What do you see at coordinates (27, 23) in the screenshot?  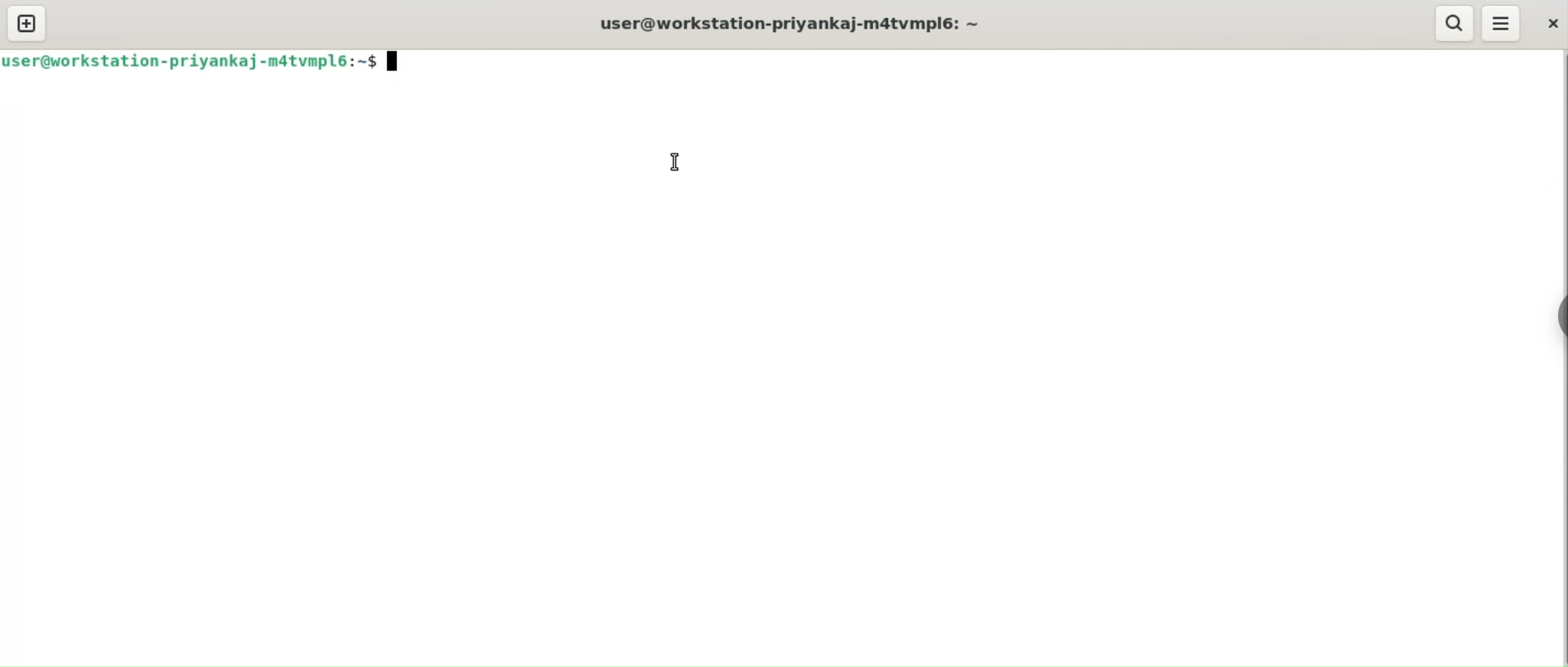 I see `new tab` at bounding box center [27, 23].